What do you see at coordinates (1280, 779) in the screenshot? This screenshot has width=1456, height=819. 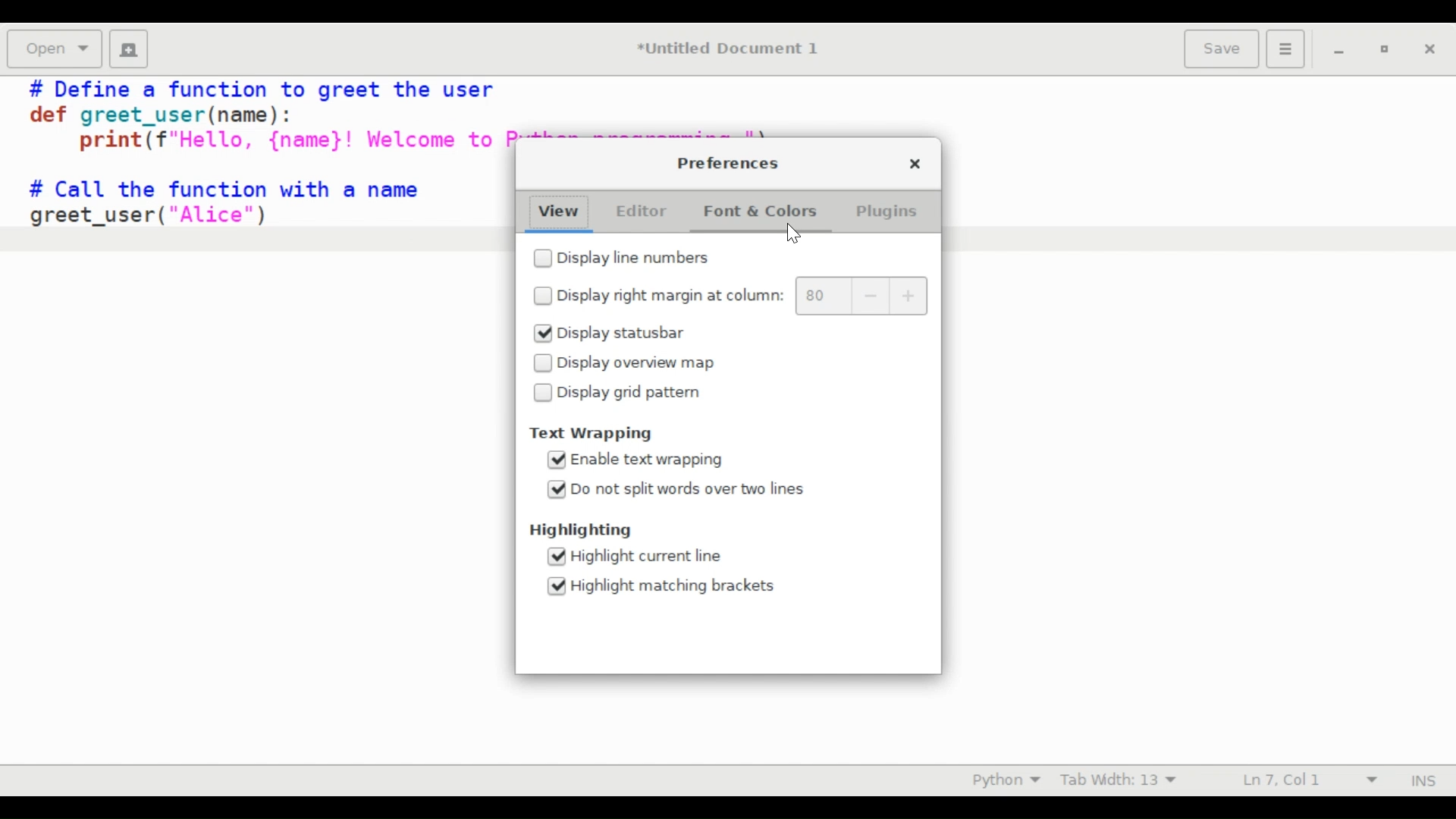 I see `Cursor Position` at bounding box center [1280, 779].